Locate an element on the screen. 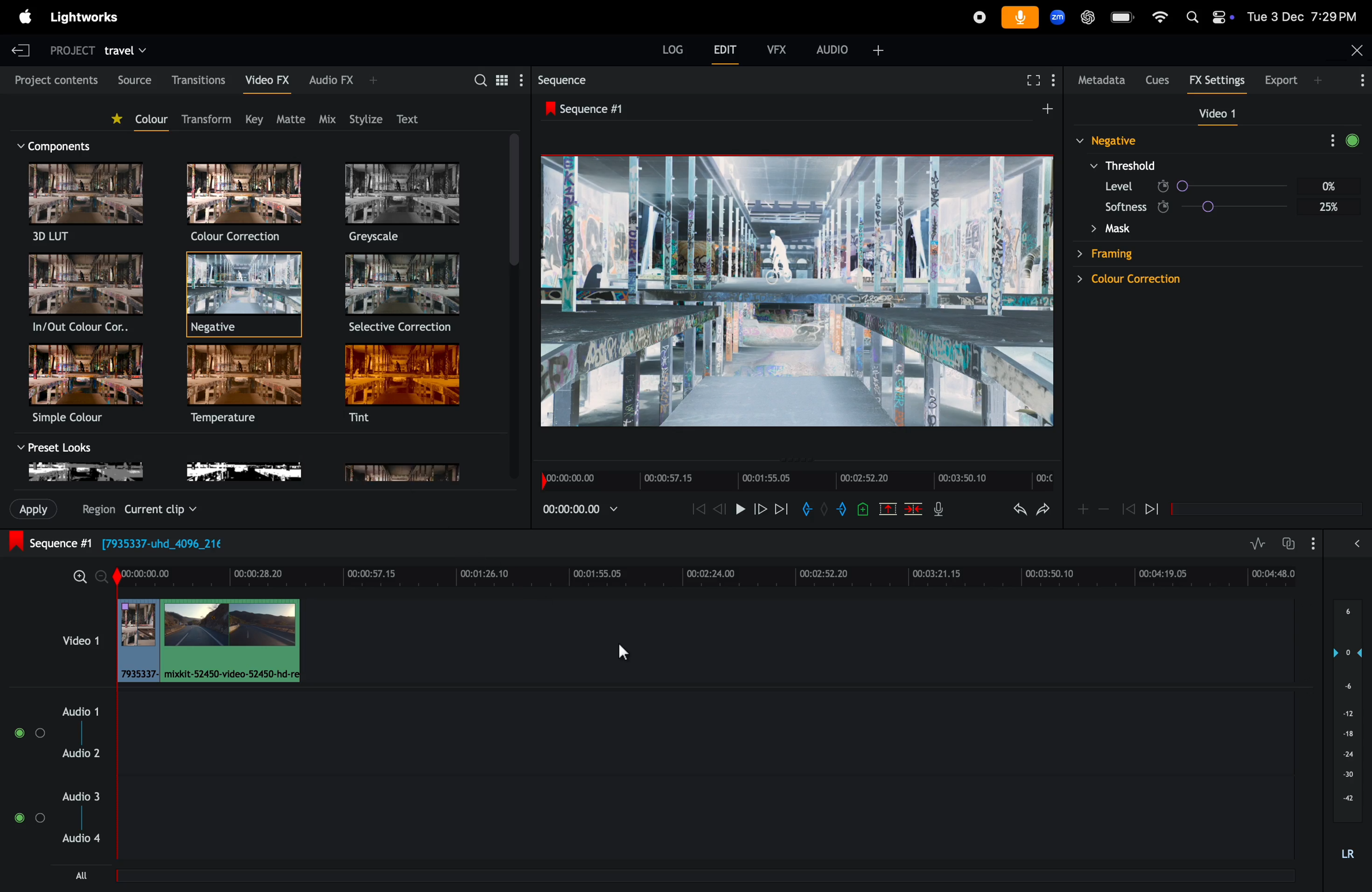 Image resolution: width=1372 pixels, height=892 pixels. Time frame is located at coordinates (793, 481).